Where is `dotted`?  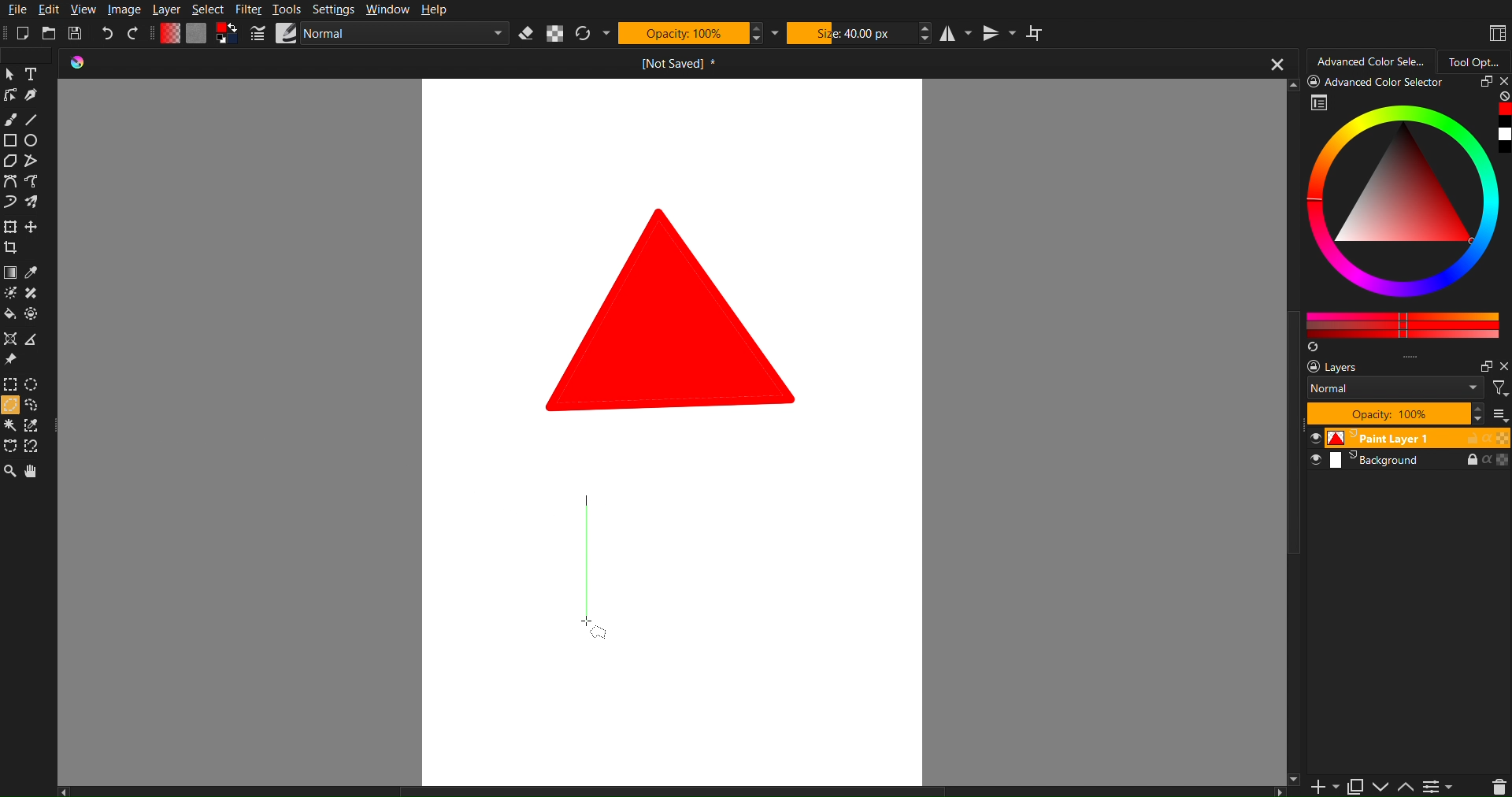 dotted is located at coordinates (34, 315).